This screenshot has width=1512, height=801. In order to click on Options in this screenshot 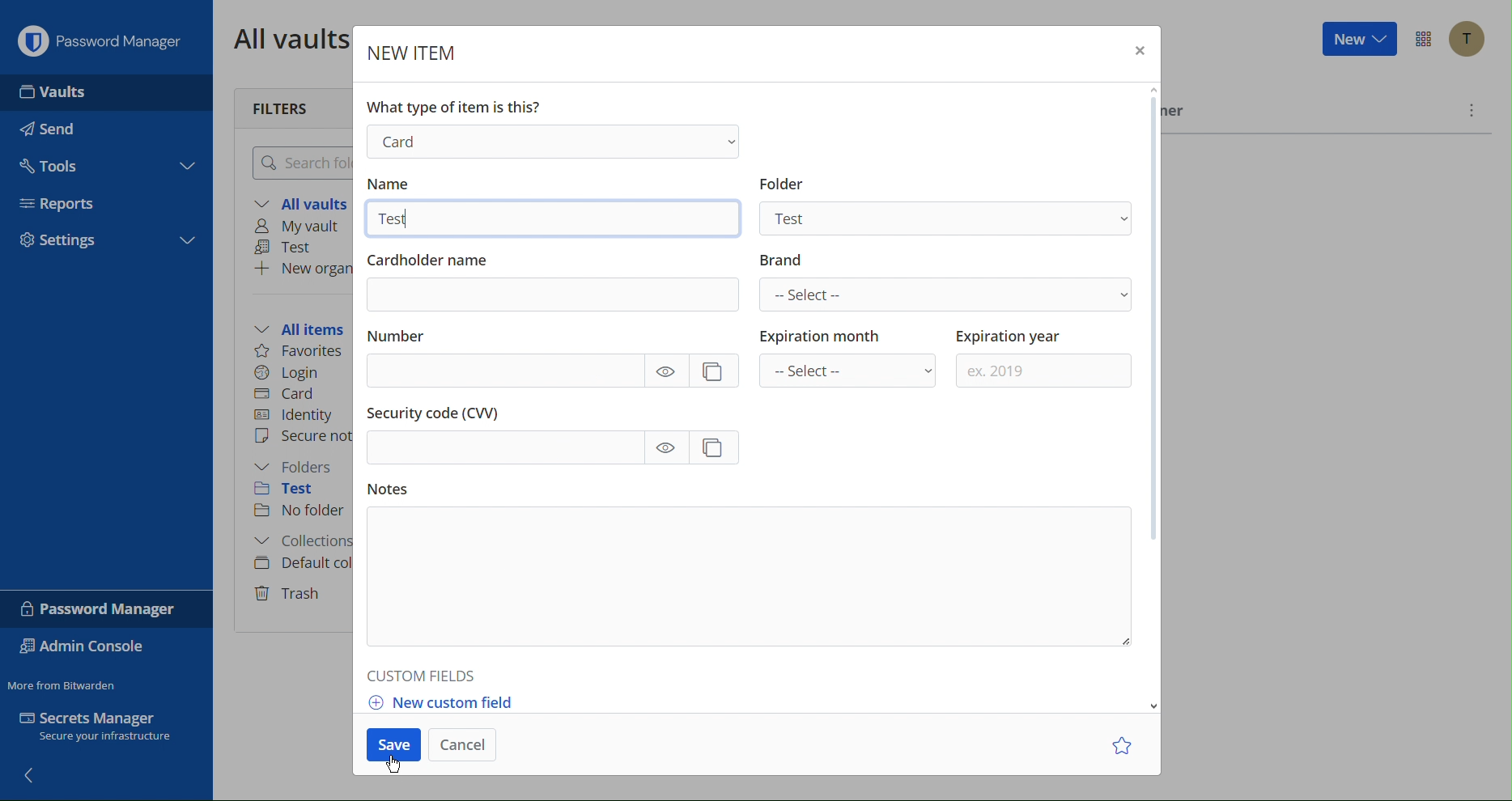, I will do `click(1421, 37)`.